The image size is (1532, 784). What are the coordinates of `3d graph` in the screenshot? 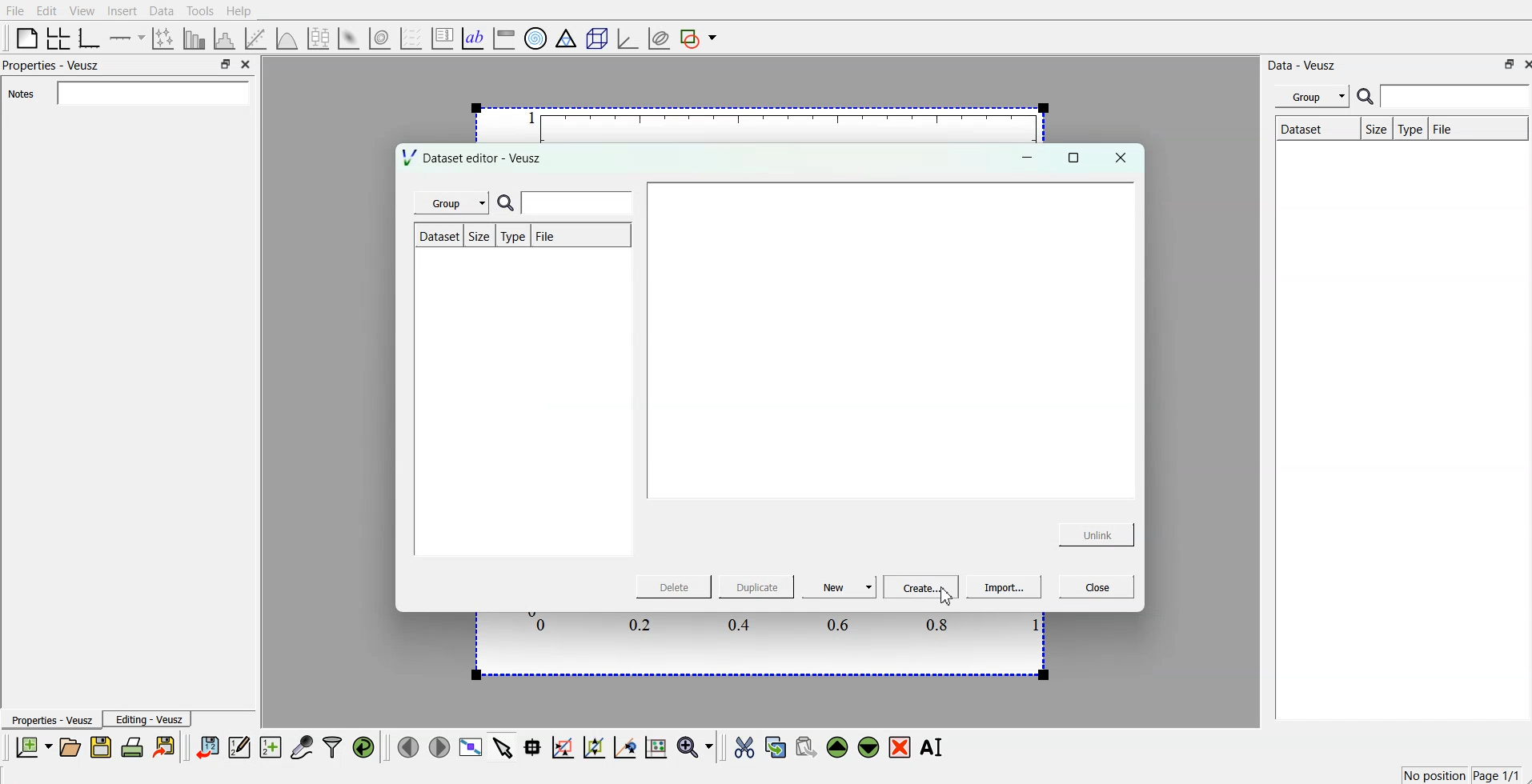 It's located at (627, 35).